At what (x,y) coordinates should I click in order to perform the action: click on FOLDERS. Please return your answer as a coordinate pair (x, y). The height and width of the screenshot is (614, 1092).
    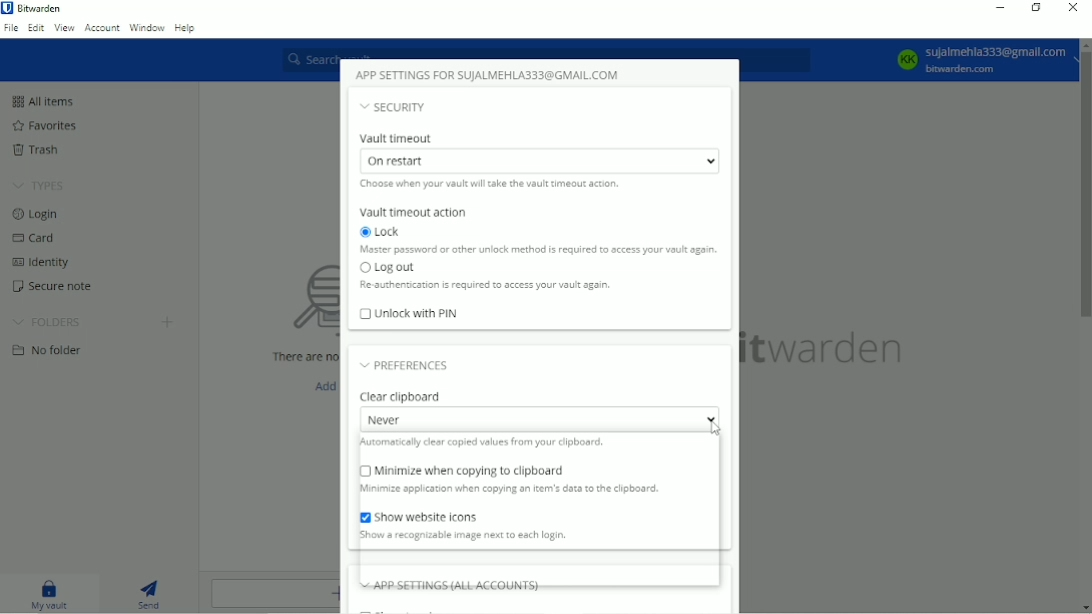
    Looking at the image, I should click on (53, 322).